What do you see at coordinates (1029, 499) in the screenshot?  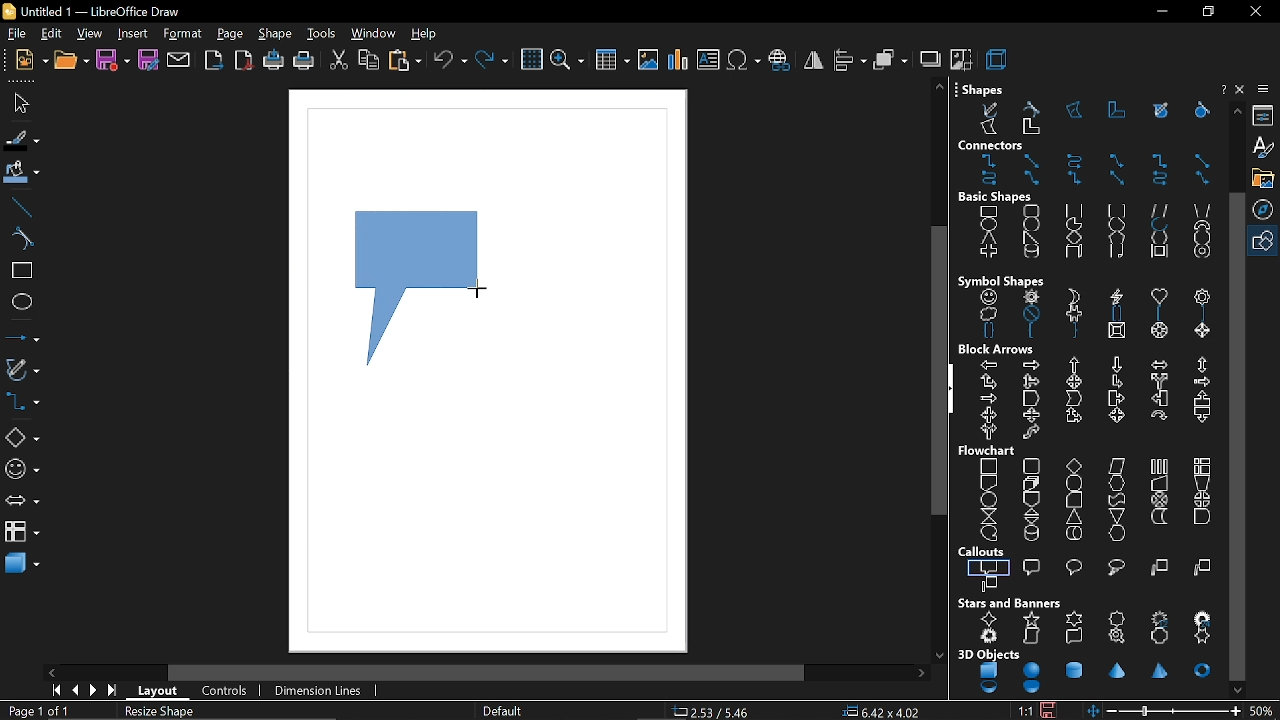 I see `off page connector` at bounding box center [1029, 499].